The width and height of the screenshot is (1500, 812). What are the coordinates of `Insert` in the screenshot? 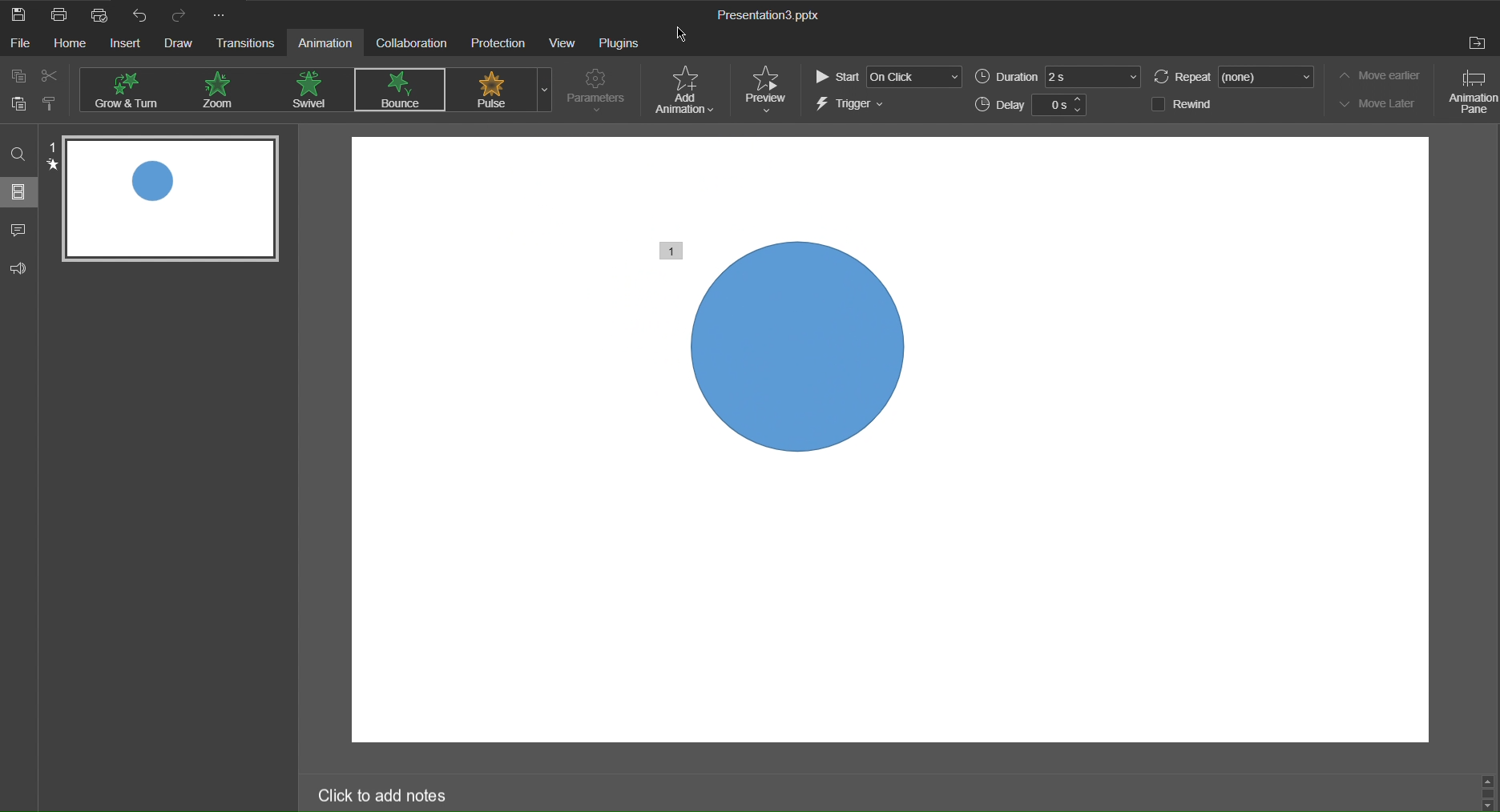 It's located at (129, 43).